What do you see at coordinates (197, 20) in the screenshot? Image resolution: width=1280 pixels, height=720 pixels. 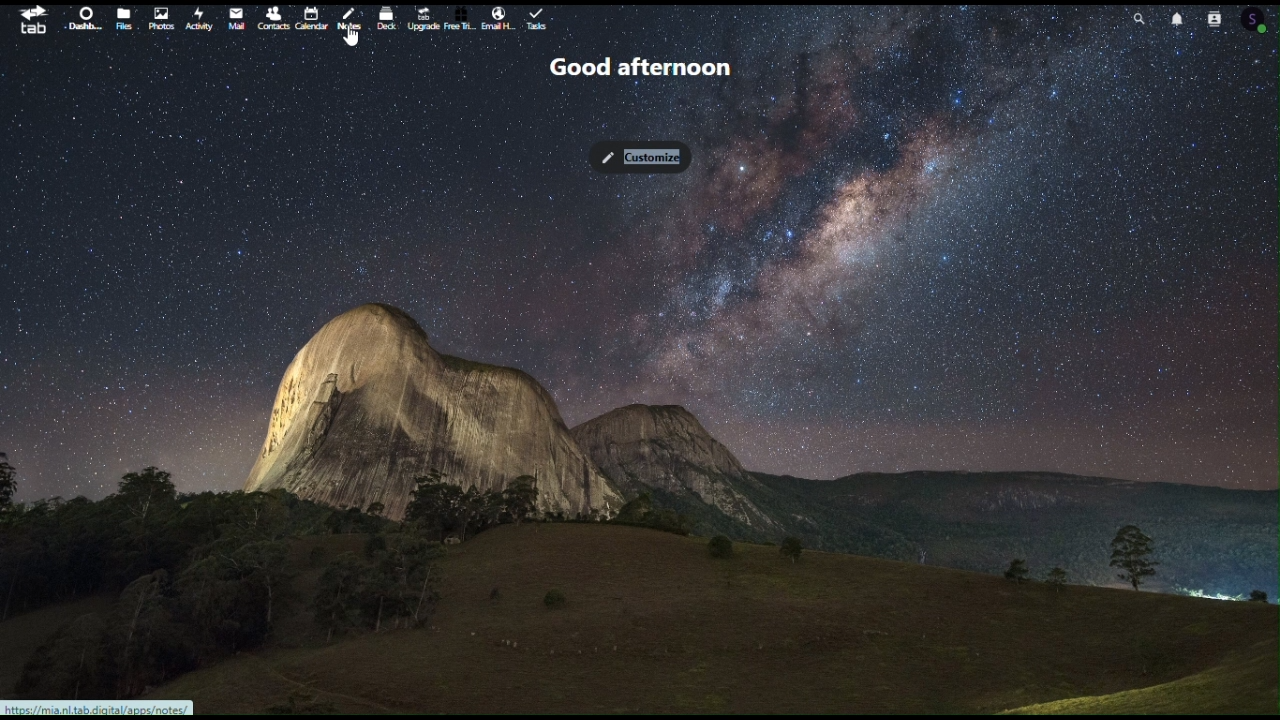 I see `Activities` at bounding box center [197, 20].